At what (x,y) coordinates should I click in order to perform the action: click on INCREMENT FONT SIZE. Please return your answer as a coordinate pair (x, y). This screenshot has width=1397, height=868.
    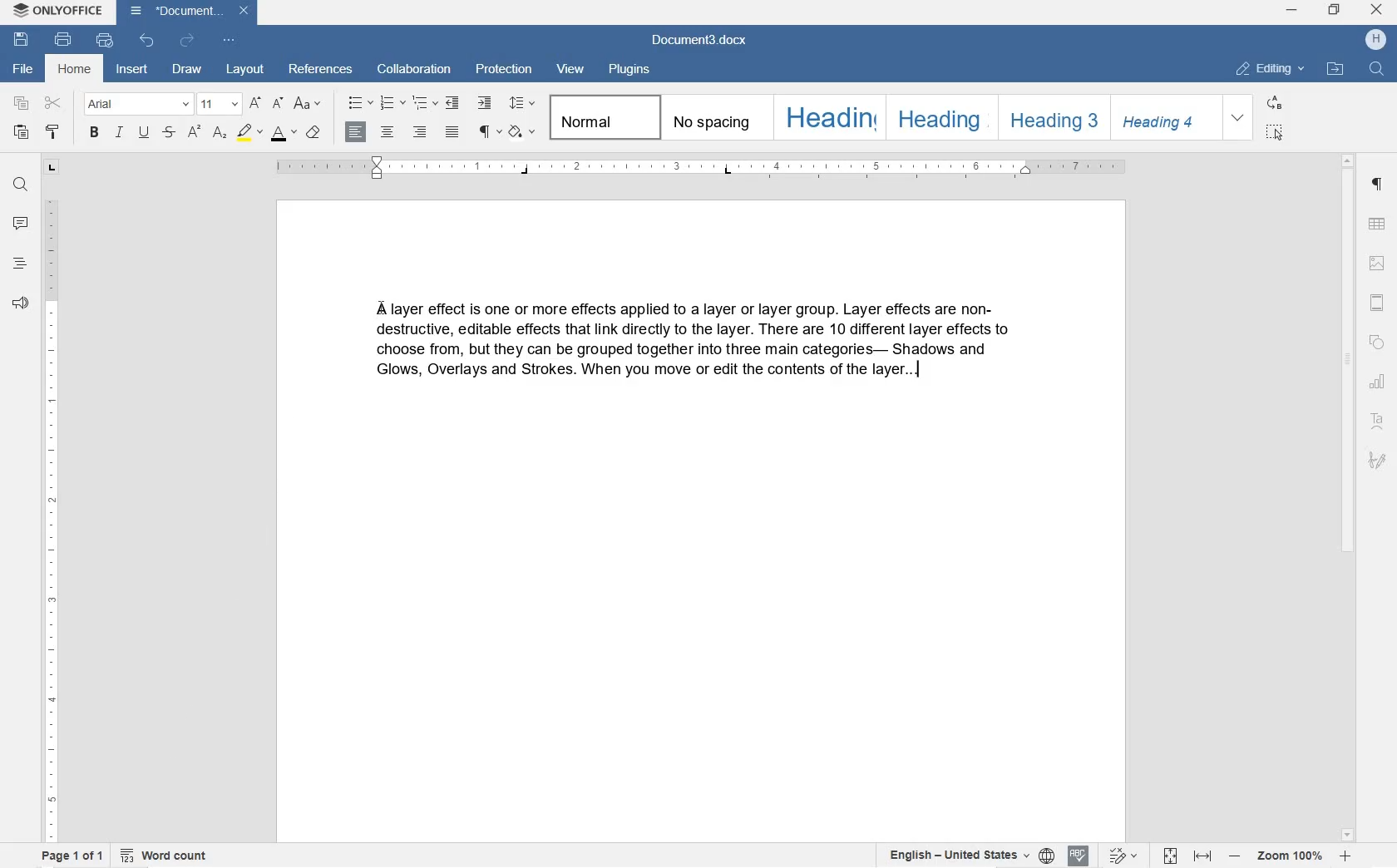
    Looking at the image, I should click on (254, 101).